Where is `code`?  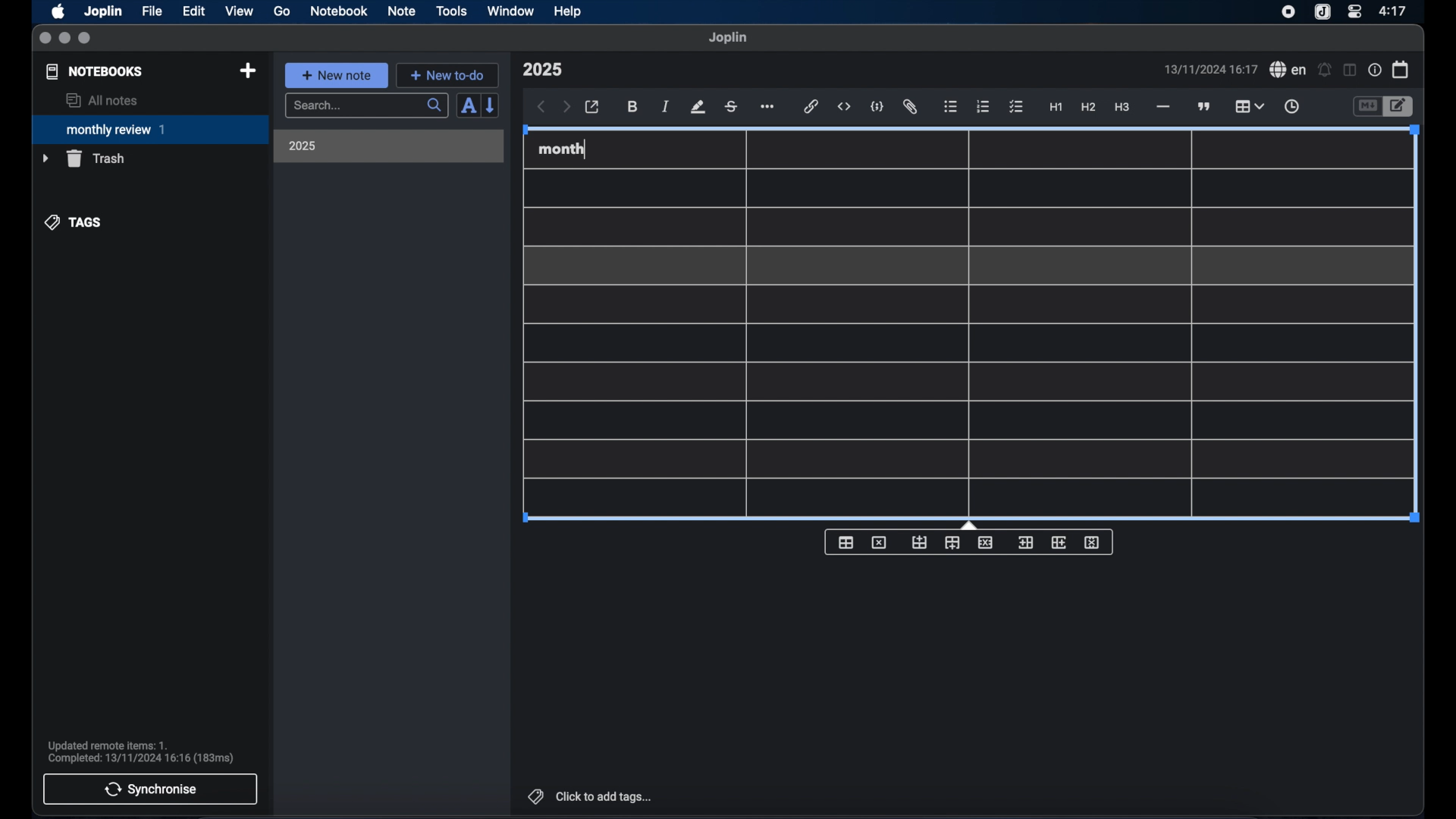 code is located at coordinates (877, 108).